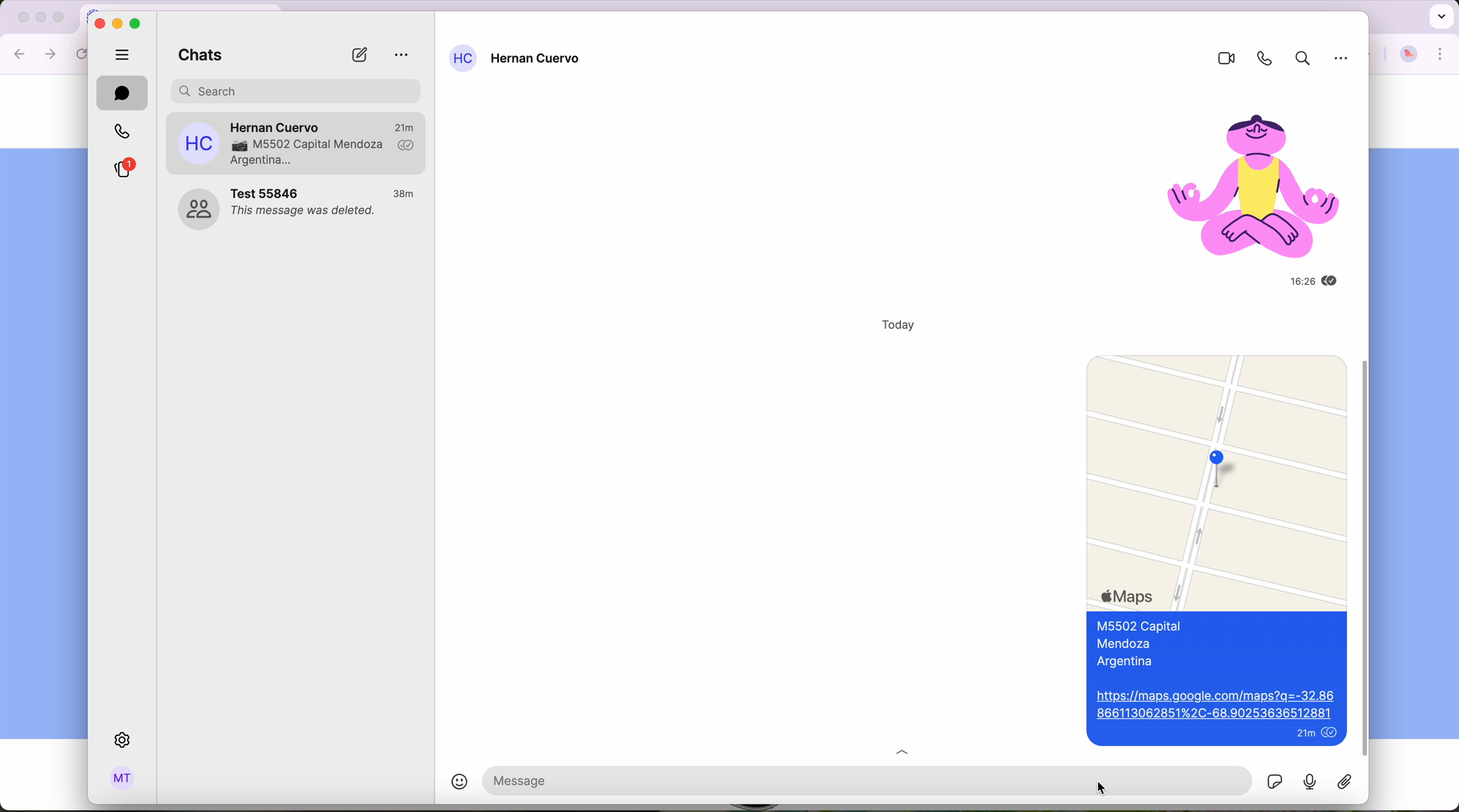 This screenshot has width=1459, height=812. What do you see at coordinates (123, 53) in the screenshot?
I see `hide tabs` at bounding box center [123, 53].